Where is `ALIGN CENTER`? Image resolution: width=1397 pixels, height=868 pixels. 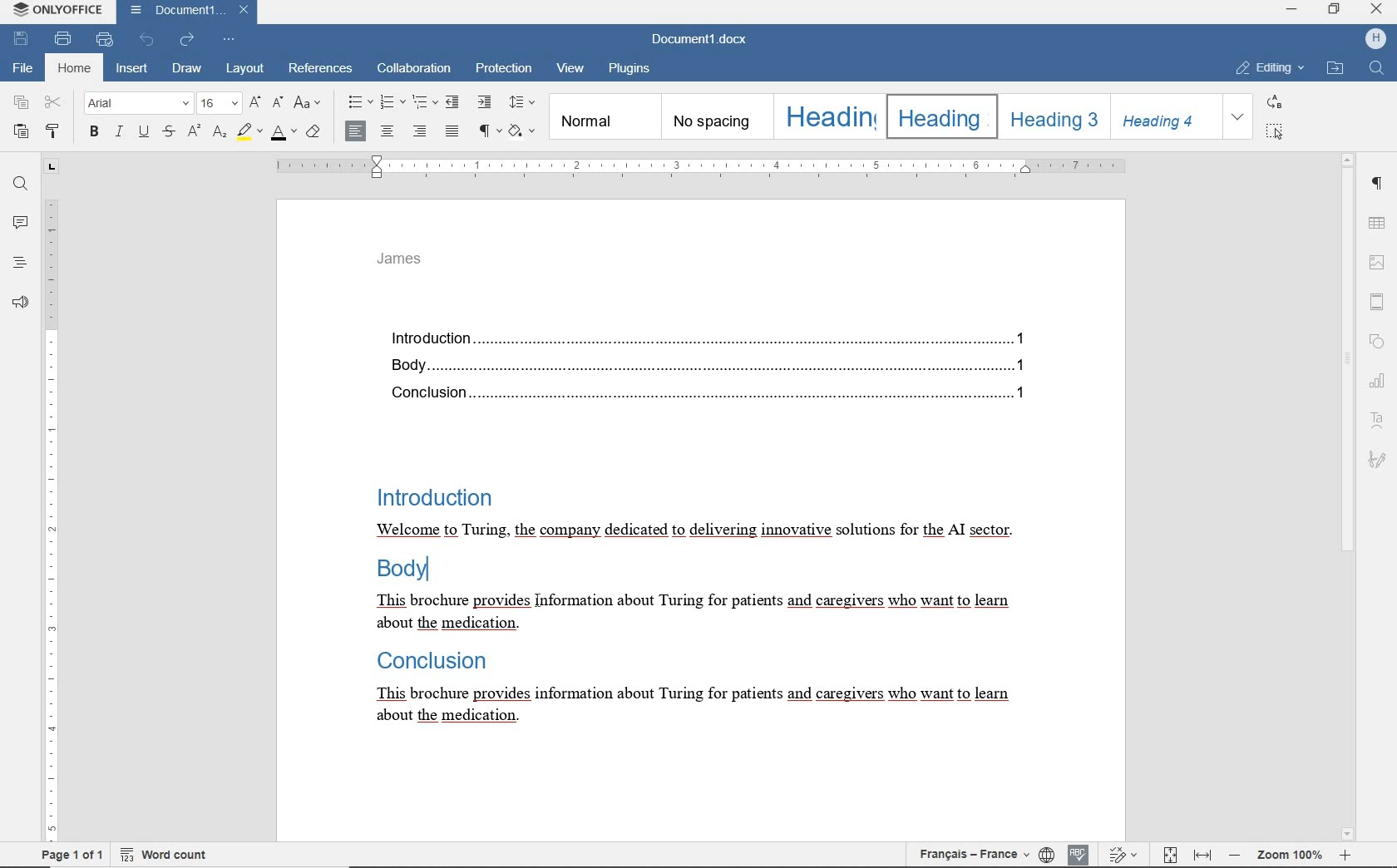 ALIGN CENTER is located at coordinates (390, 131).